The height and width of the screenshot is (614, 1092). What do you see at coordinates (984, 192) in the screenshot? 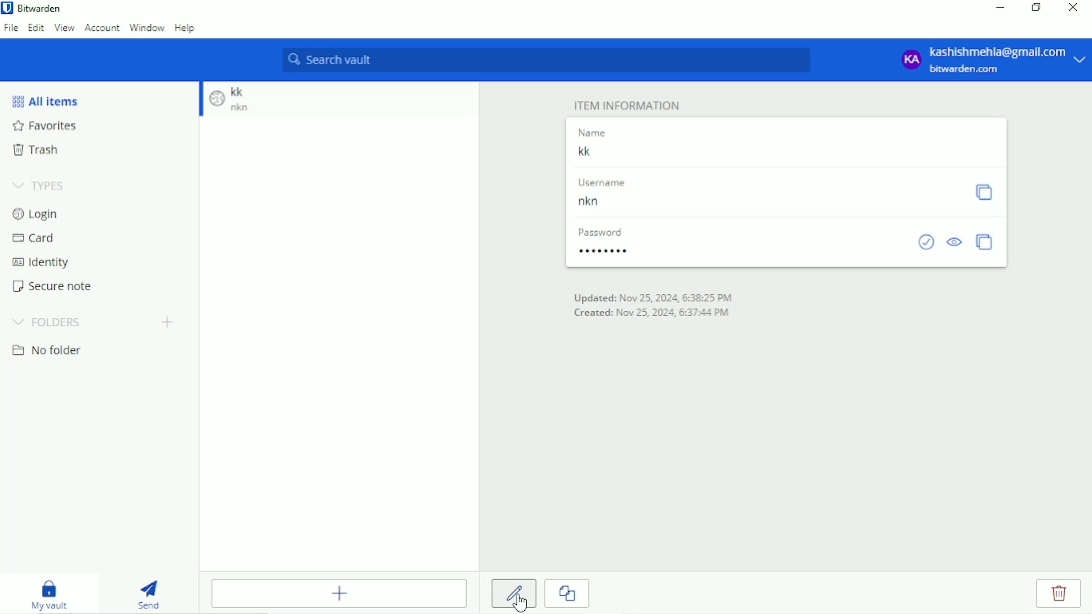
I see `Copy` at bounding box center [984, 192].